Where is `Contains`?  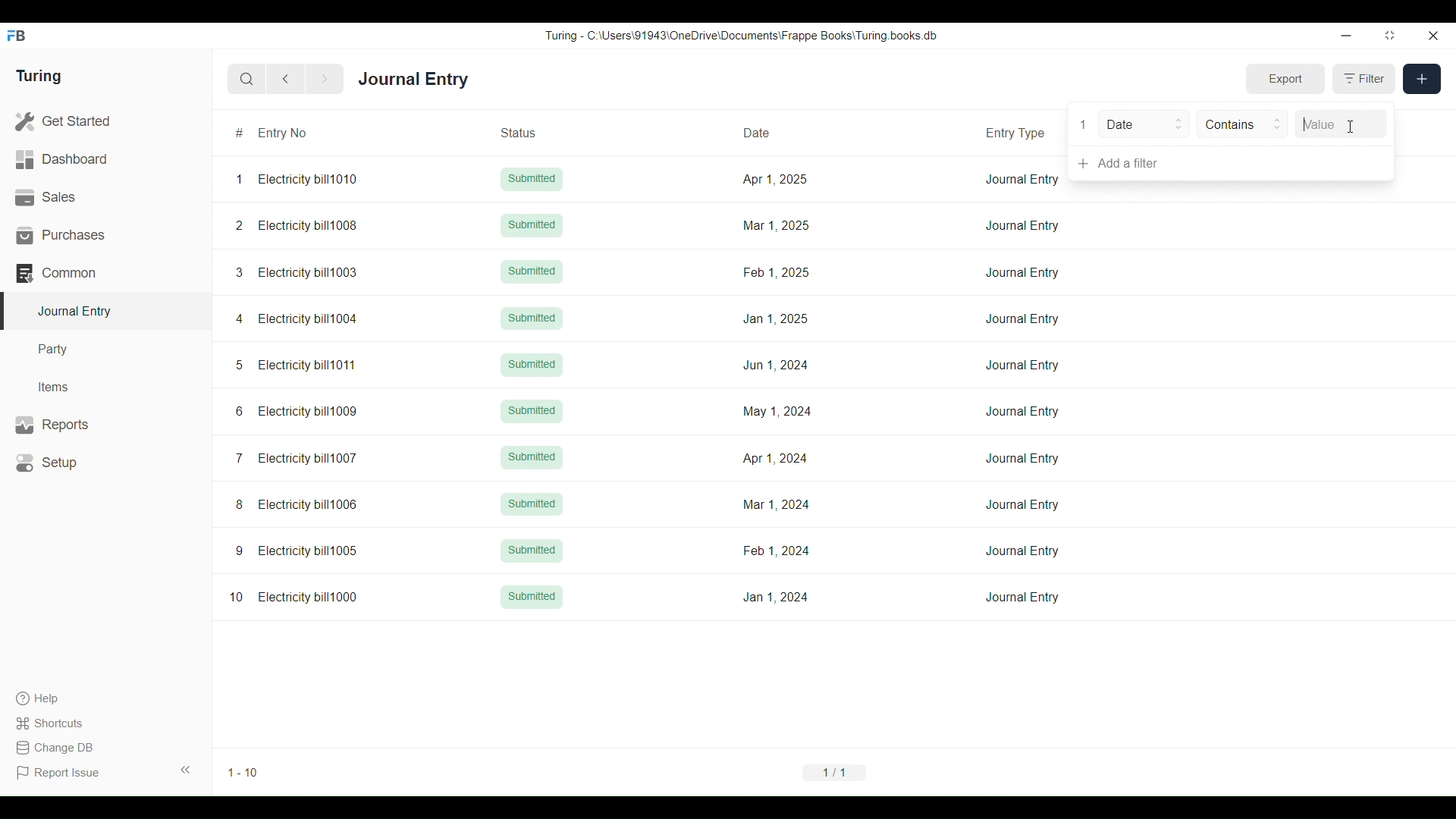 Contains is located at coordinates (1242, 124).